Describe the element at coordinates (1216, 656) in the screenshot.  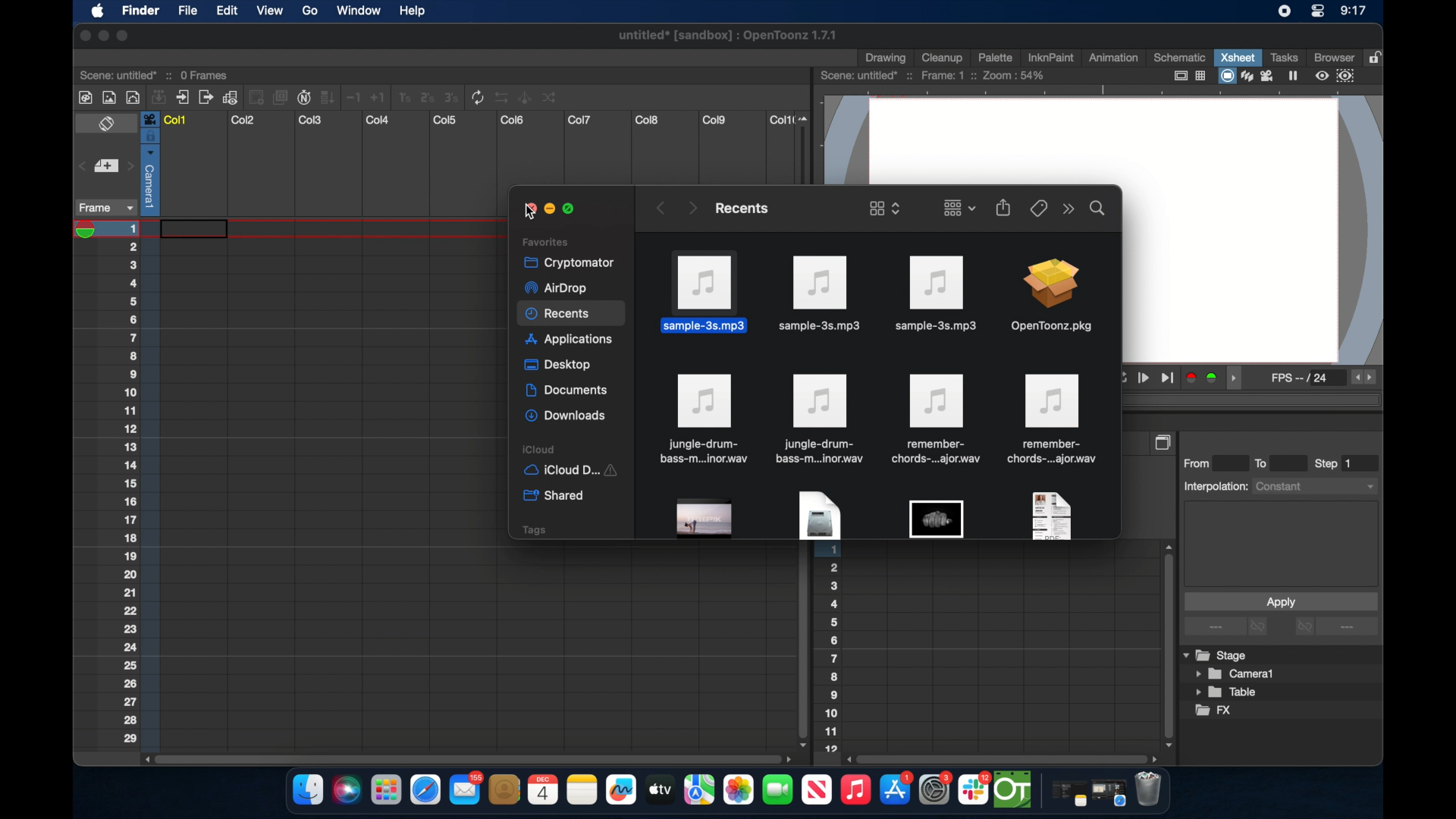
I see `stage` at that location.